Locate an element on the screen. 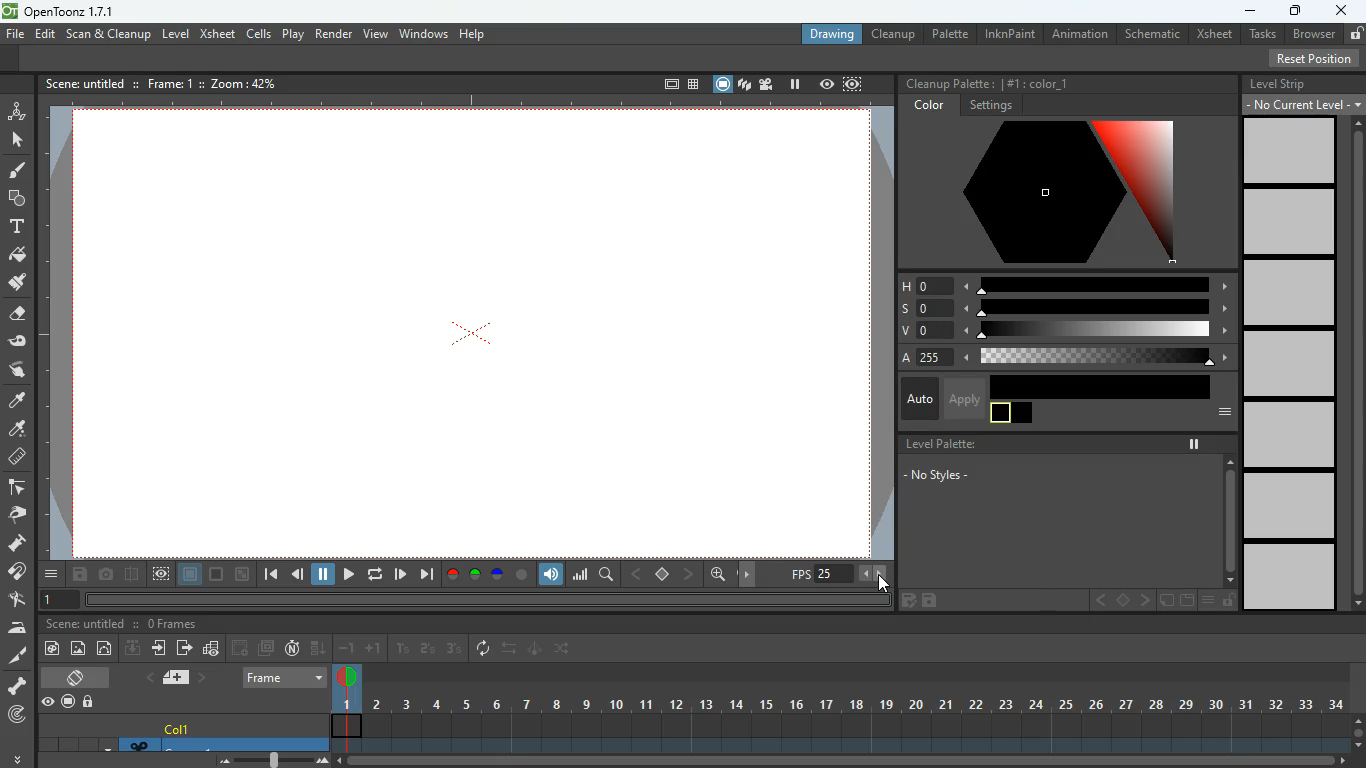 The width and height of the screenshot is (1366, 768). scene title is located at coordinates (85, 85).